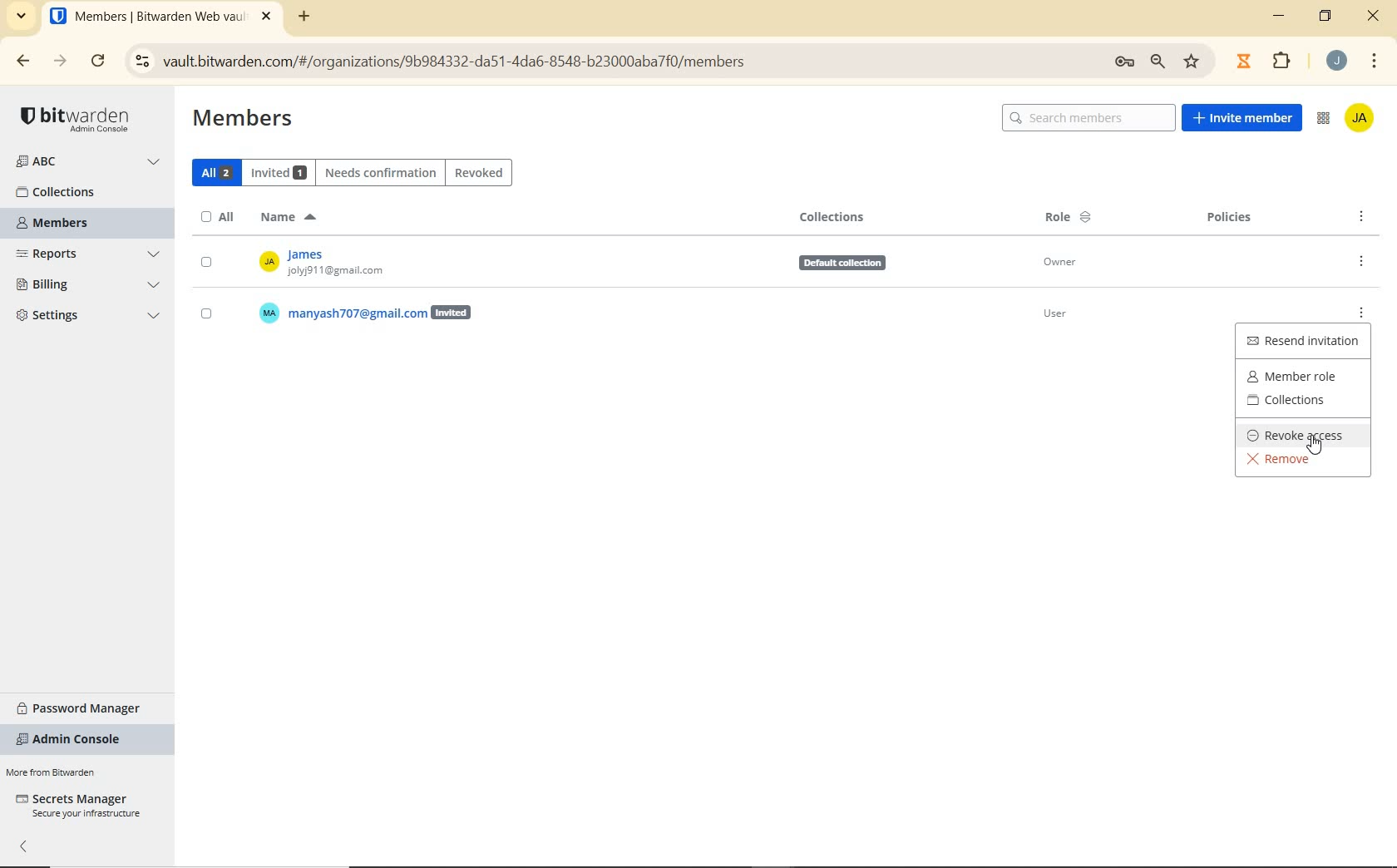  Describe the element at coordinates (1327, 19) in the screenshot. I see `RESTORE DOWN` at that location.